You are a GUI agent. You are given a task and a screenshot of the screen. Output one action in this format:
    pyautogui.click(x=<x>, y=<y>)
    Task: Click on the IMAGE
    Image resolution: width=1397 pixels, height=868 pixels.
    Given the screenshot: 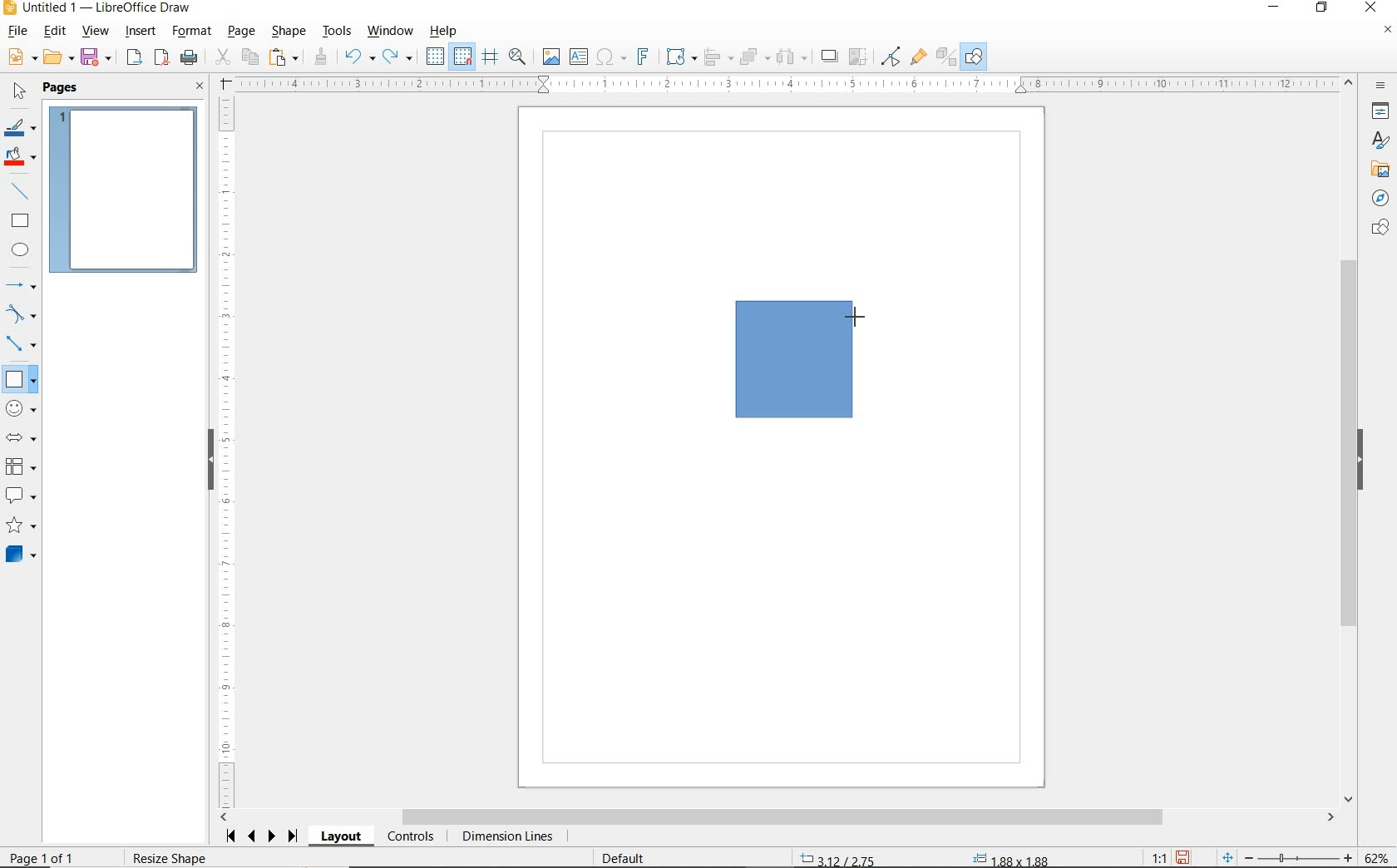 What is the action you would take?
    pyautogui.click(x=550, y=56)
    